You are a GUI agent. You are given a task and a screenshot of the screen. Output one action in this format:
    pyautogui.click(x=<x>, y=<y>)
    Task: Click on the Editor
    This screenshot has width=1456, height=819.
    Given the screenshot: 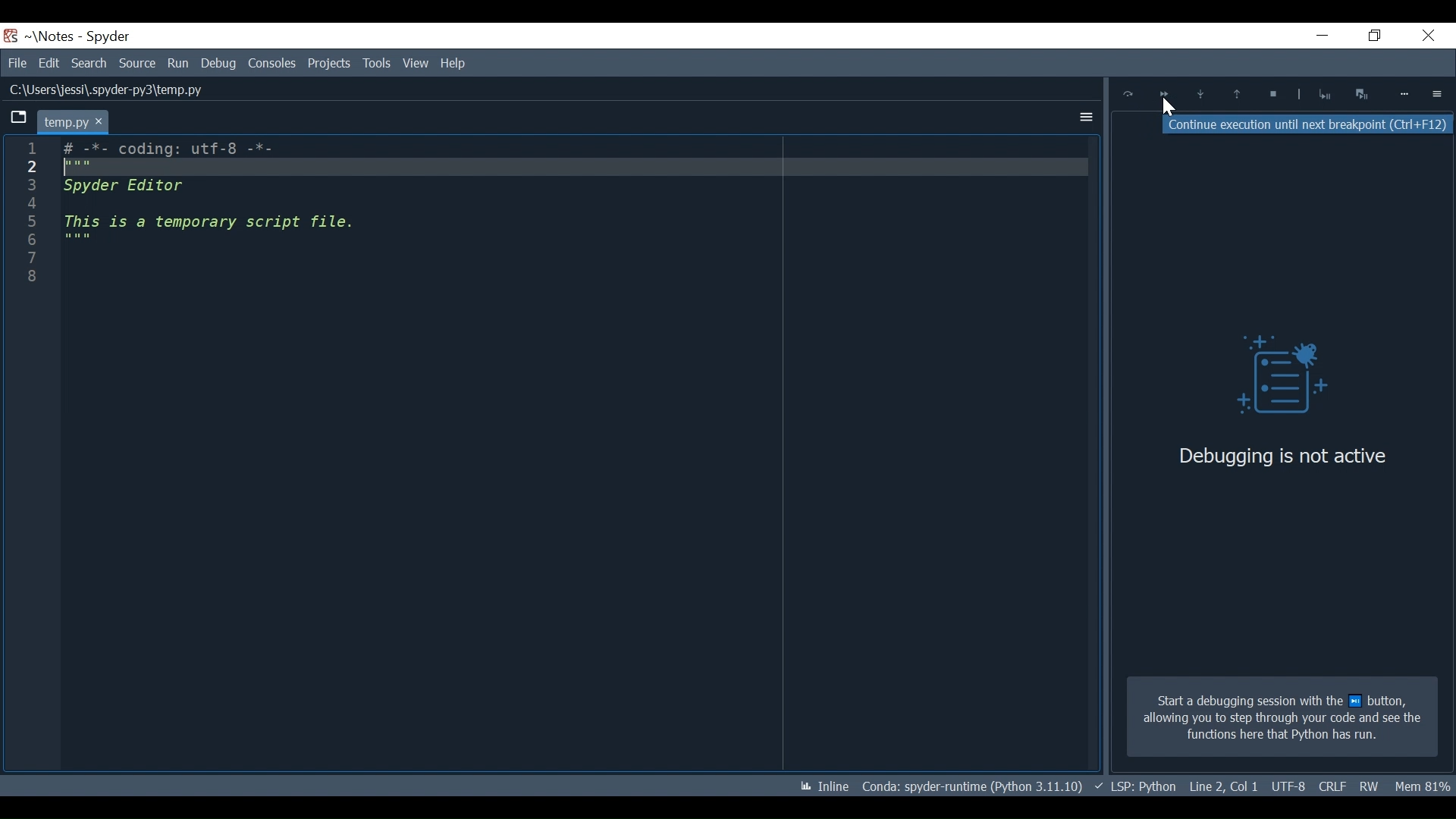 What is the action you would take?
    pyautogui.click(x=218, y=206)
    